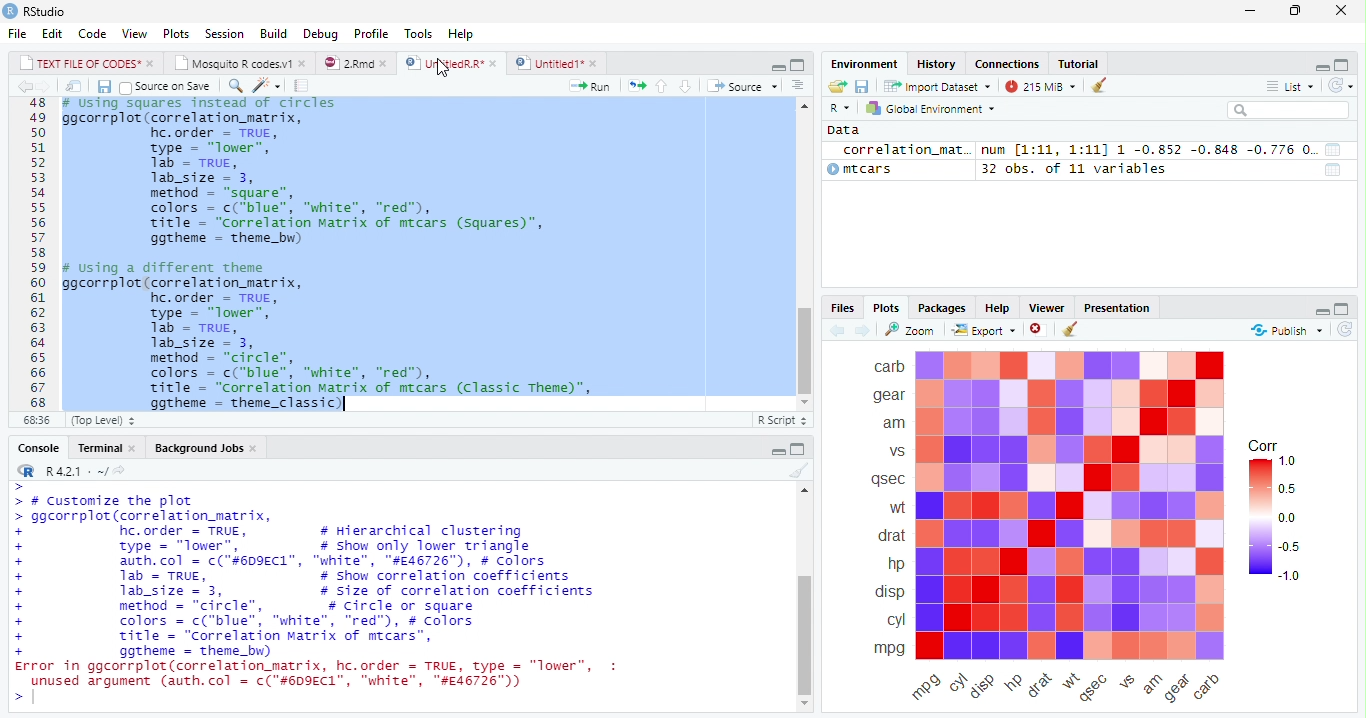 Image resolution: width=1366 pixels, height=718 pixels. I want to click on minimize, so click(1249, 13).